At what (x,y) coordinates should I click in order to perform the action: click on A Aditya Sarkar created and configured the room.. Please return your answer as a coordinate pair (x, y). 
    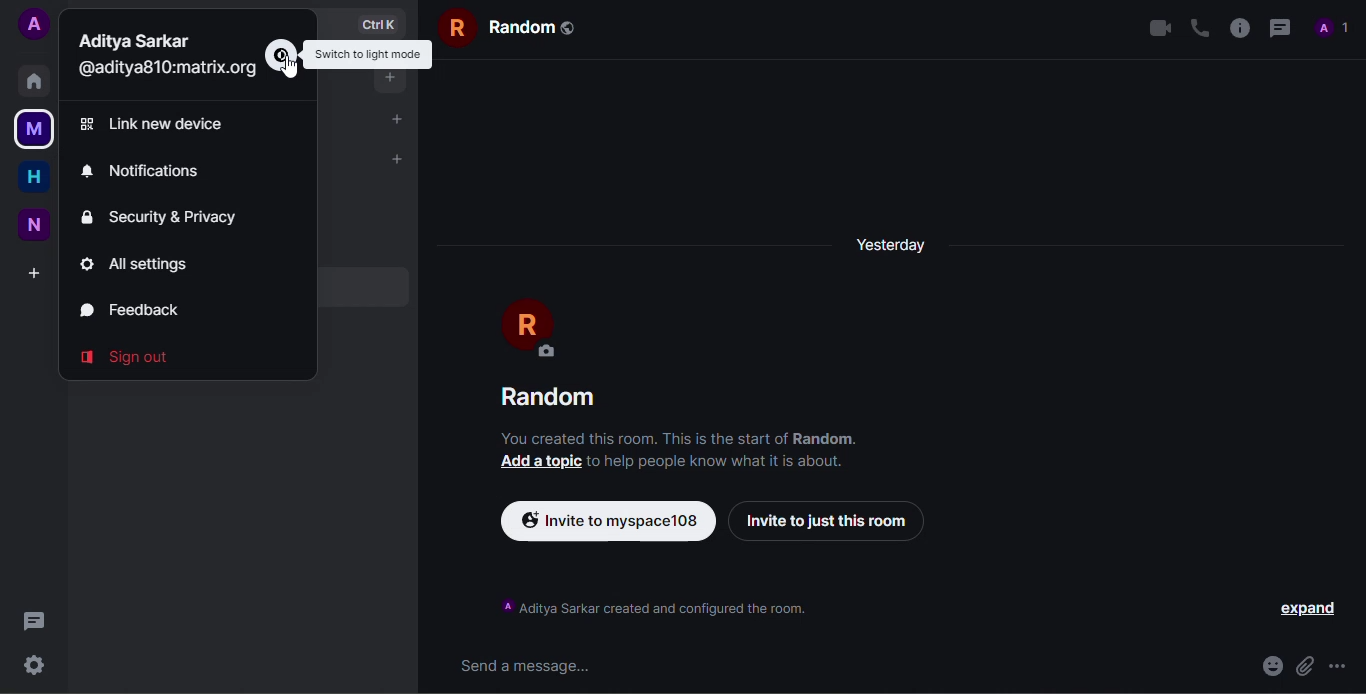
    Looking at the image, I should click on (653, 608).